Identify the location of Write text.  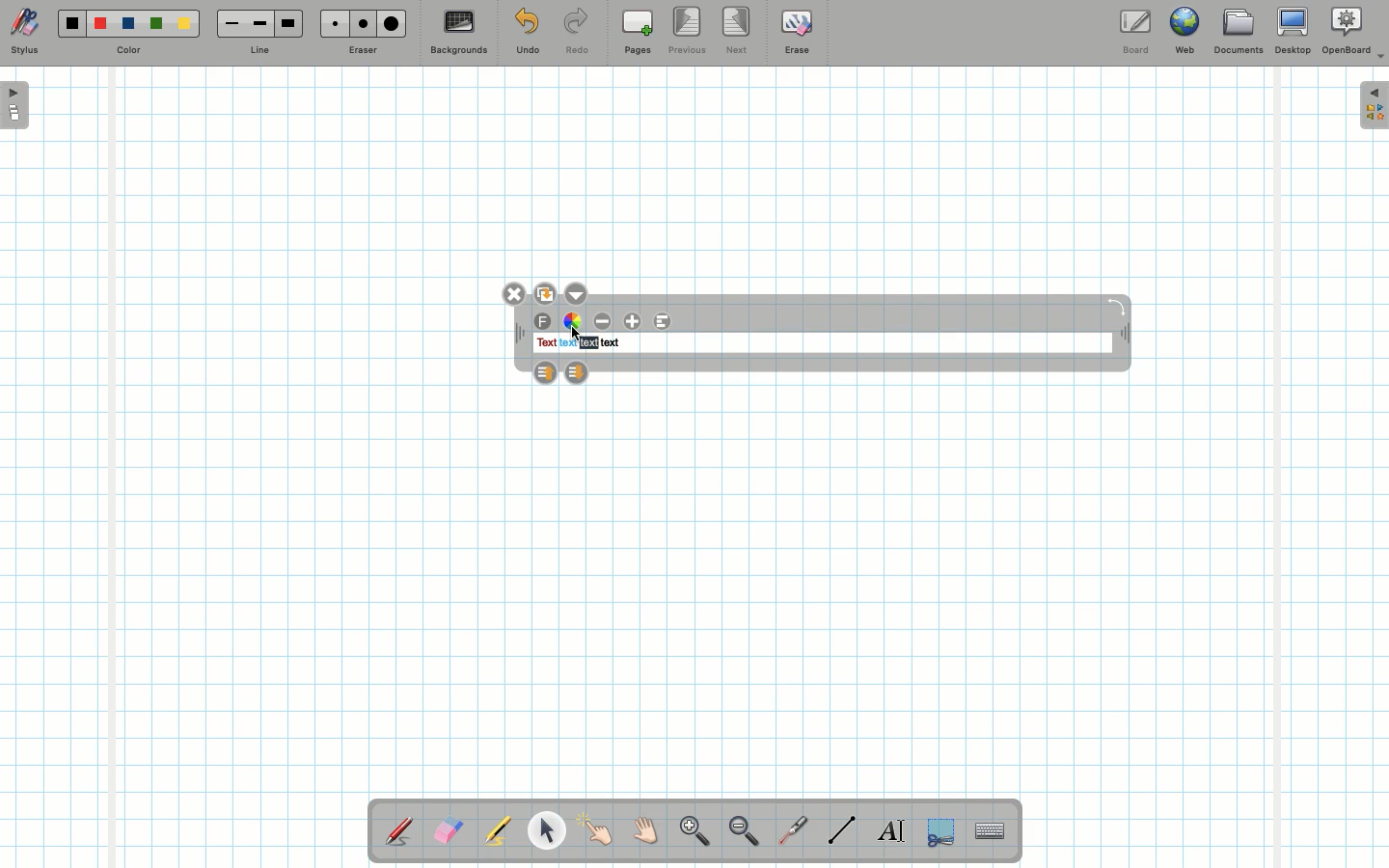
(893, 827).